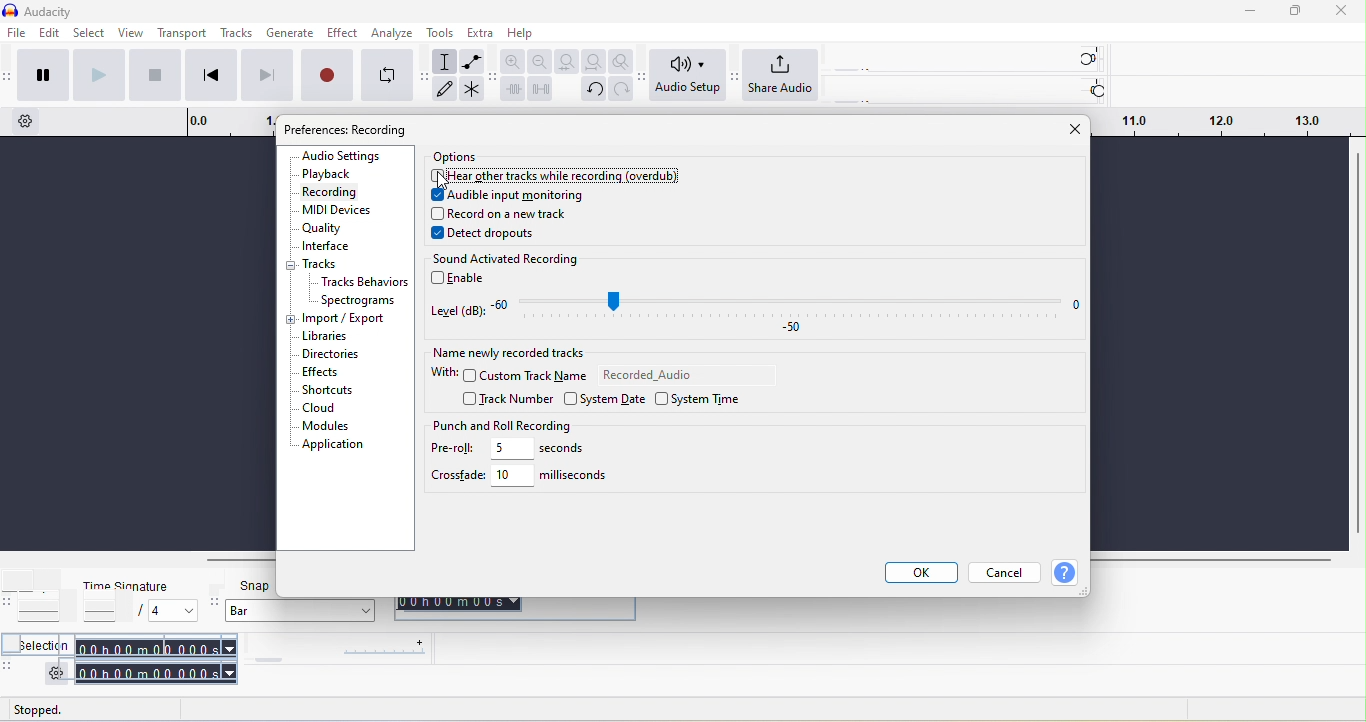 This screenshot has width=1366, height=722. Describe the element at coordinates (736, 77) in the screenshot. I see `audacity share audio setup` at that location.